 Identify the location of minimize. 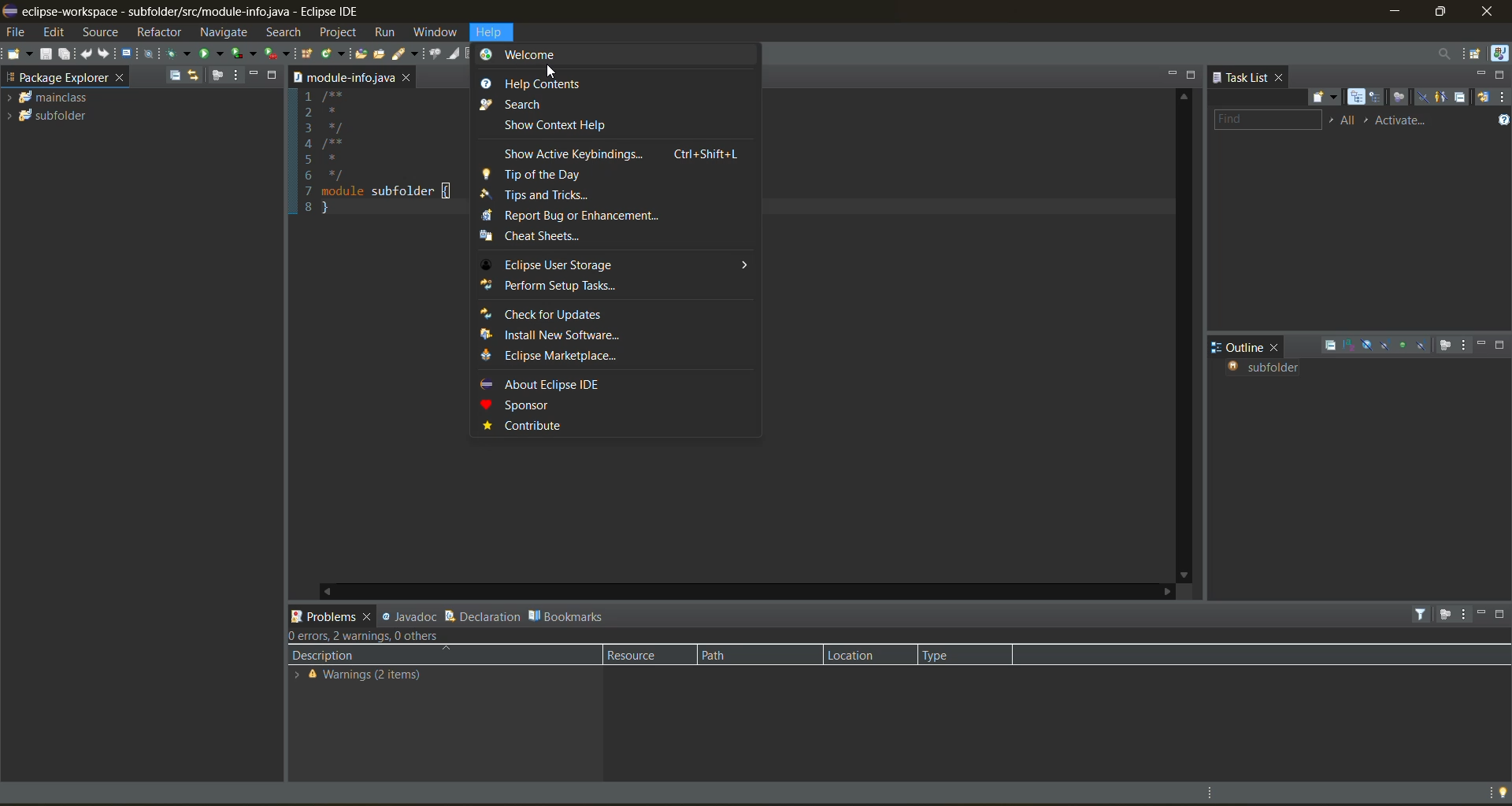
(1484, 346).